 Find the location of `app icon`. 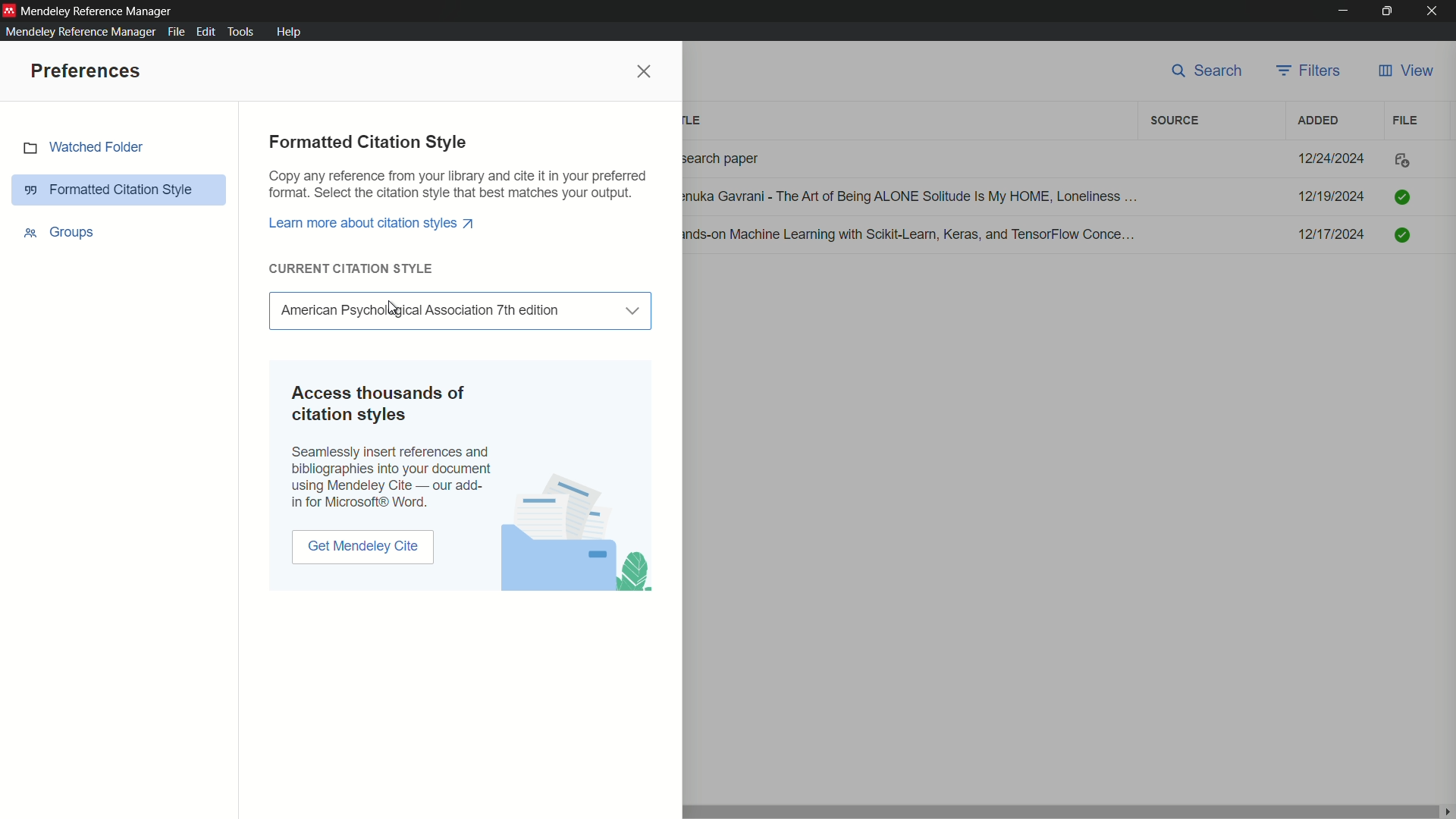

app icon is located at coordinates (9, 9).